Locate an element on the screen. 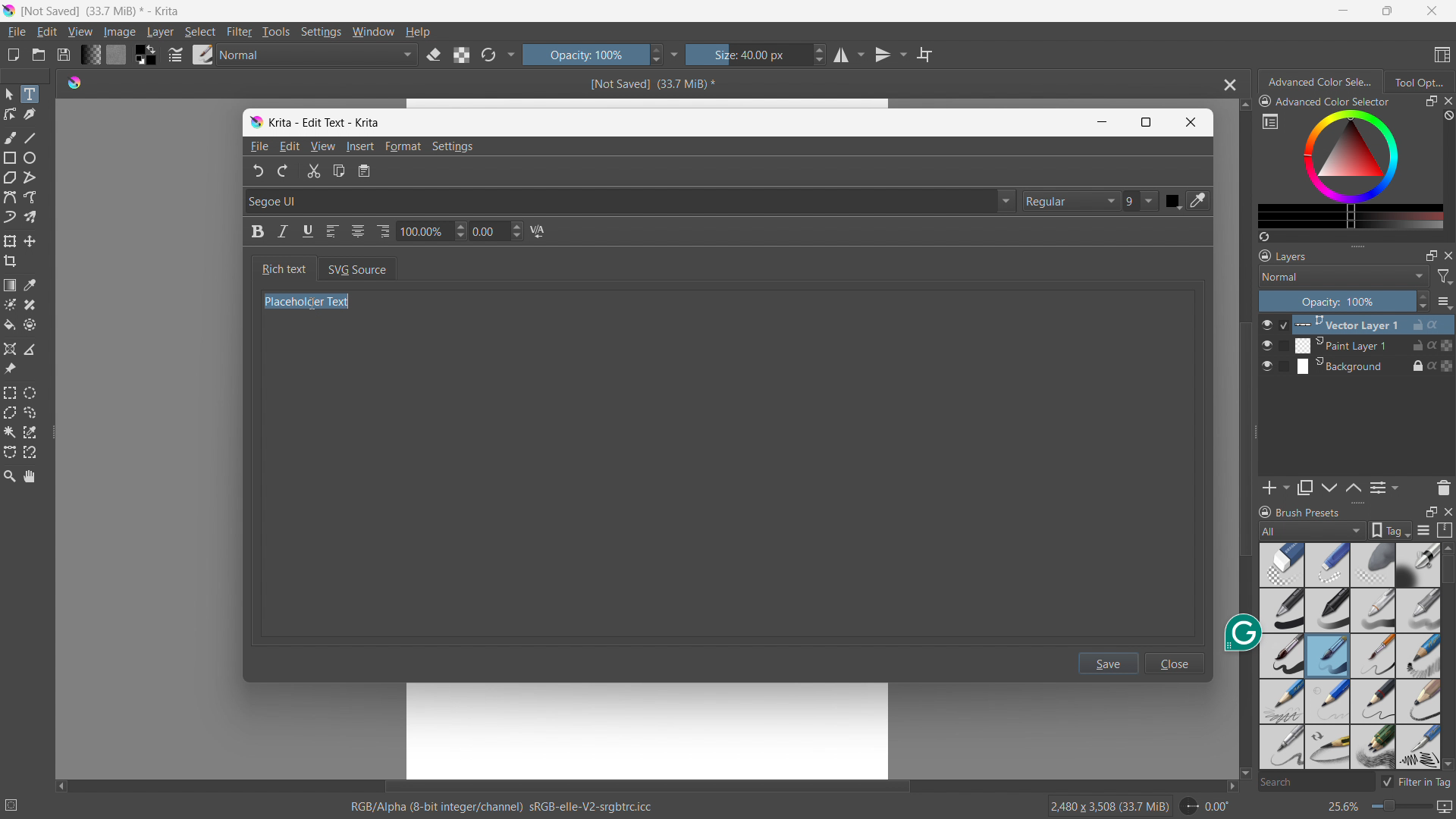 This screenshot has width=1456, height=819. Brush is located at coordinates (1328, 656).